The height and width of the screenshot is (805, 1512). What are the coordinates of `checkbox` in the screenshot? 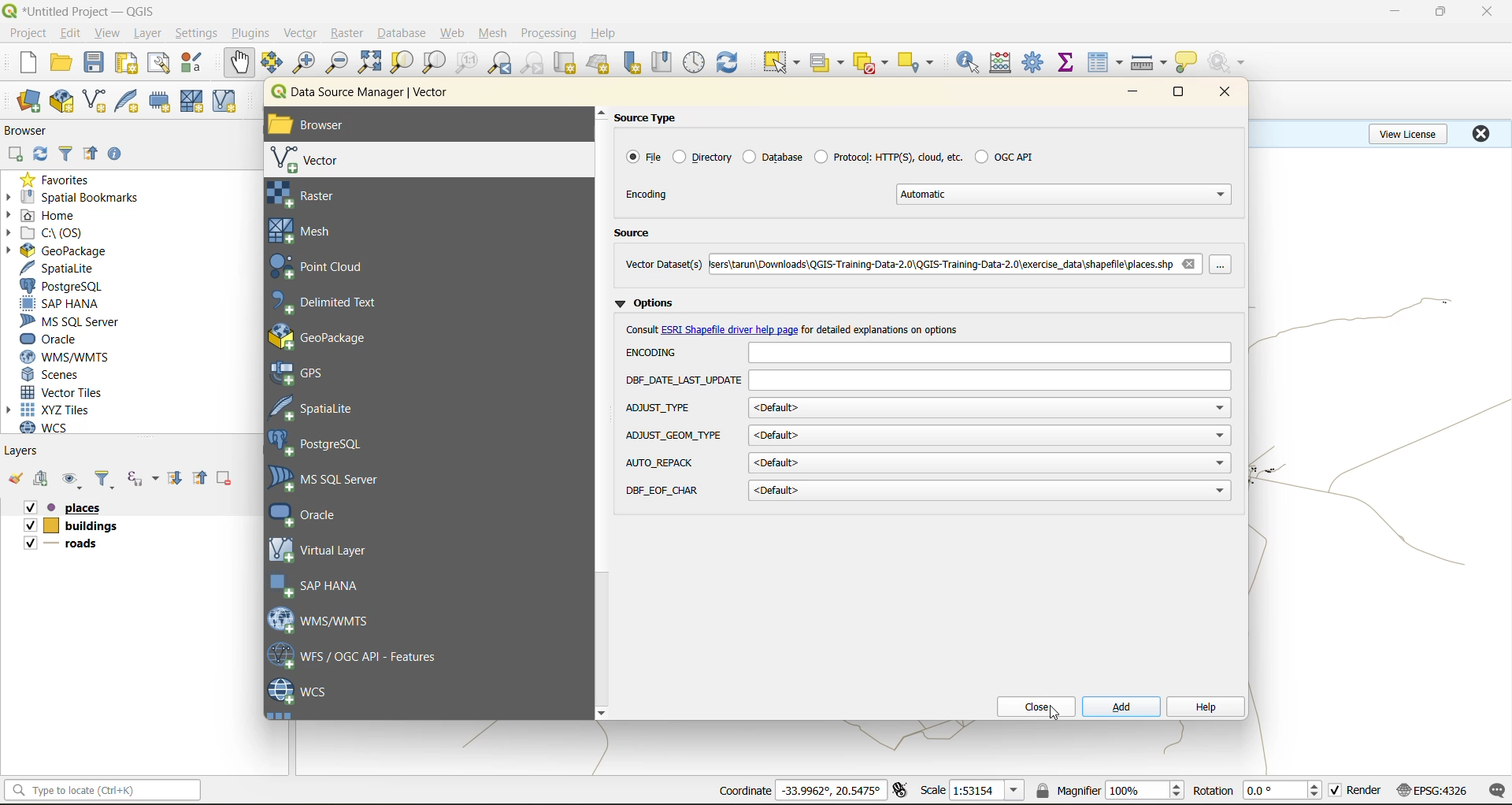 It's located at (30, 543).